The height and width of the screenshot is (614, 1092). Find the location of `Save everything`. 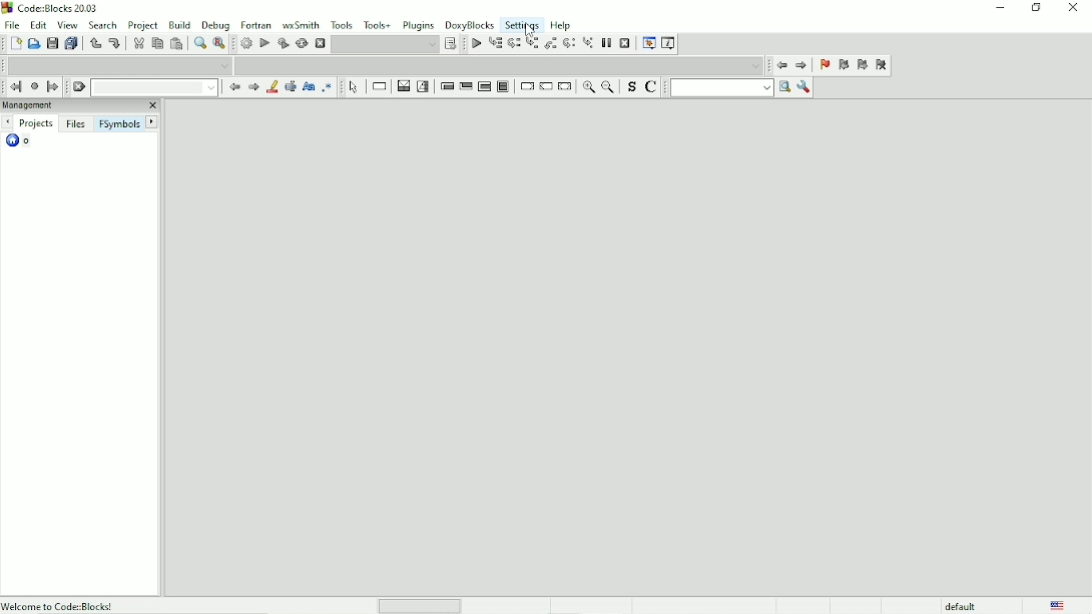

Save everything is located at coordinates (70, 44).